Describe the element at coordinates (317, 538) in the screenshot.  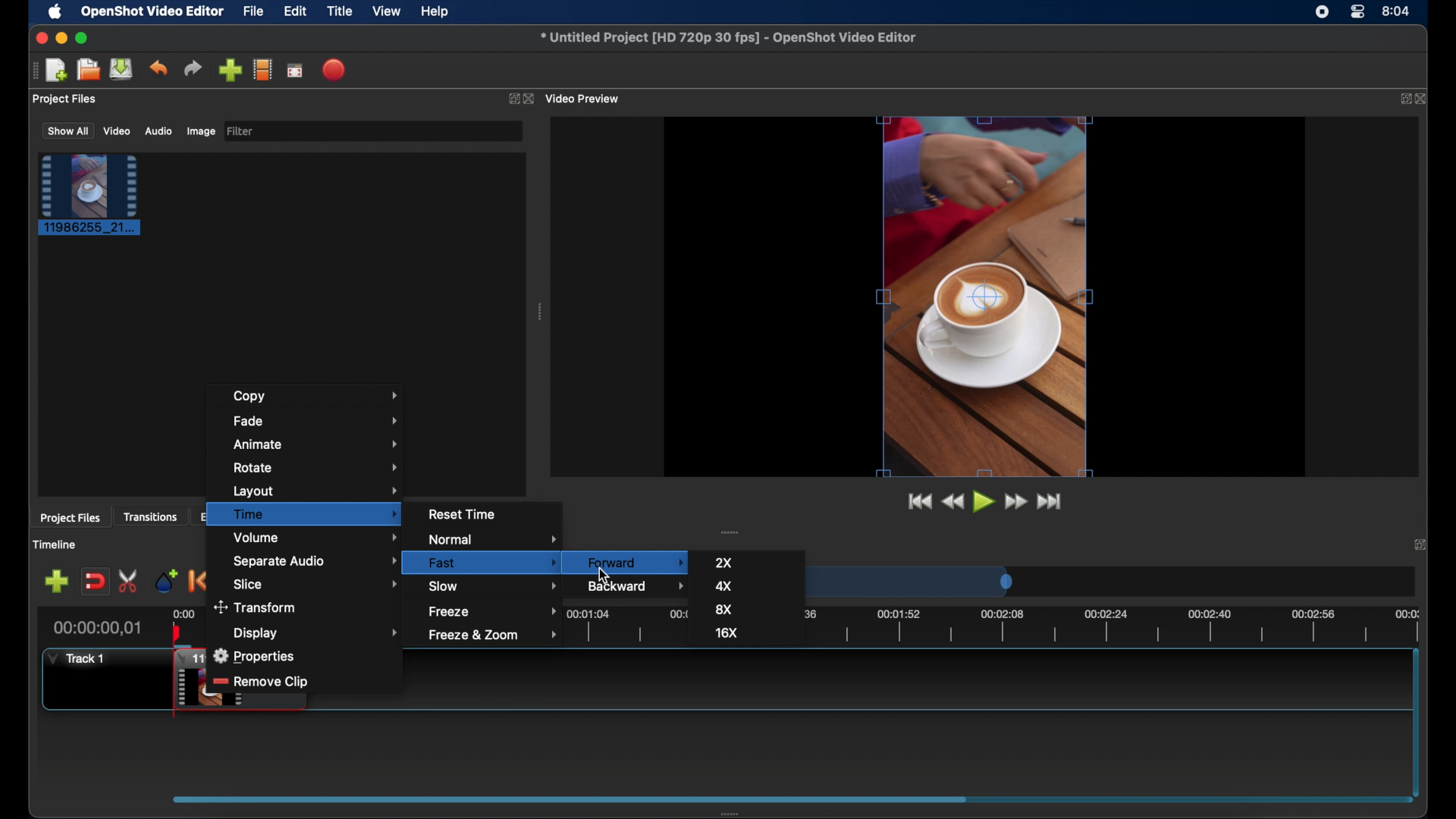
I see `volume  menu` at that location.